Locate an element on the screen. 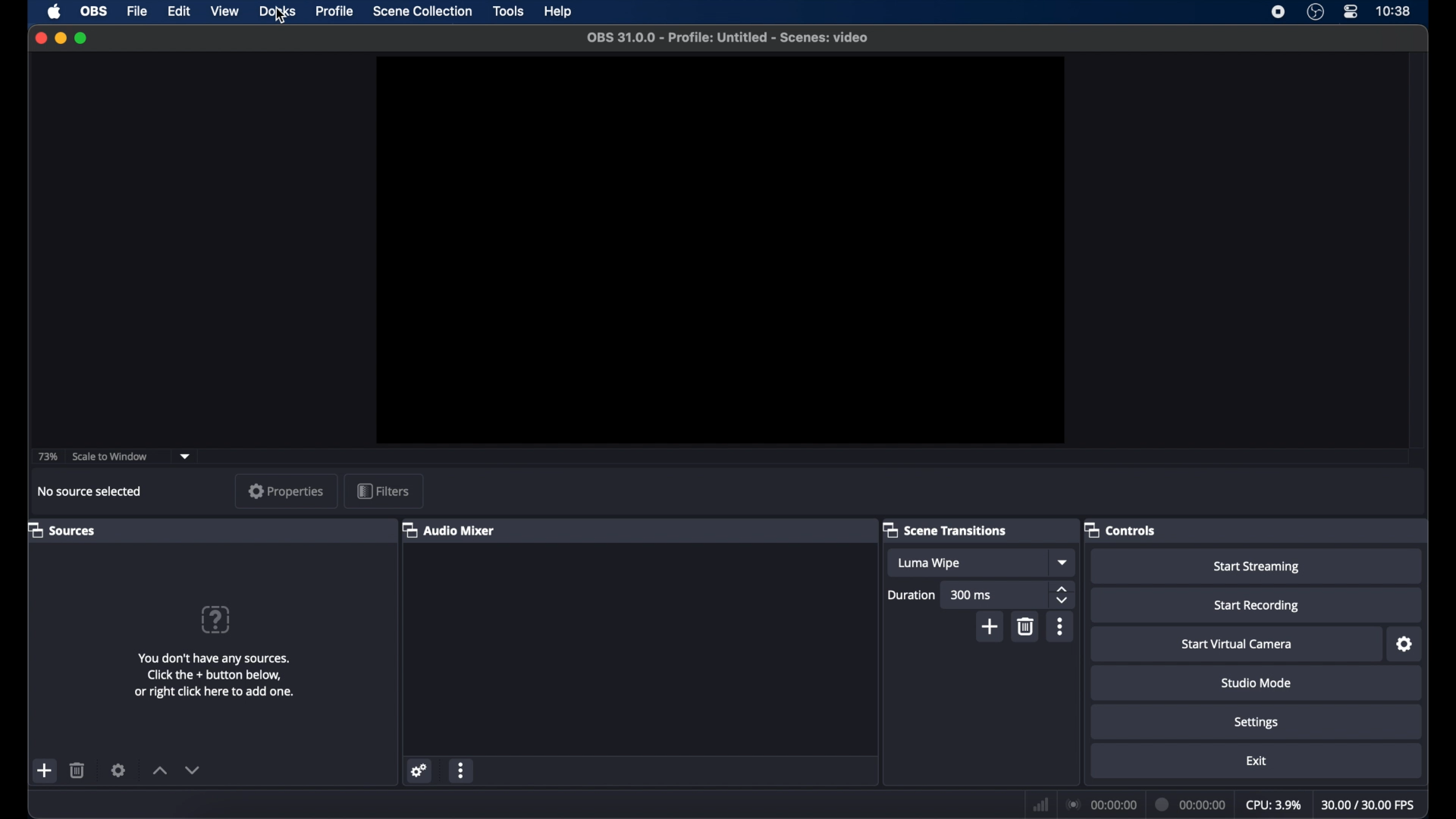 This screenshot has height=819, width=1456. OBS 31.0.0 - Profile: Untitled - Scenes: video is located at coordinates (728, 36).